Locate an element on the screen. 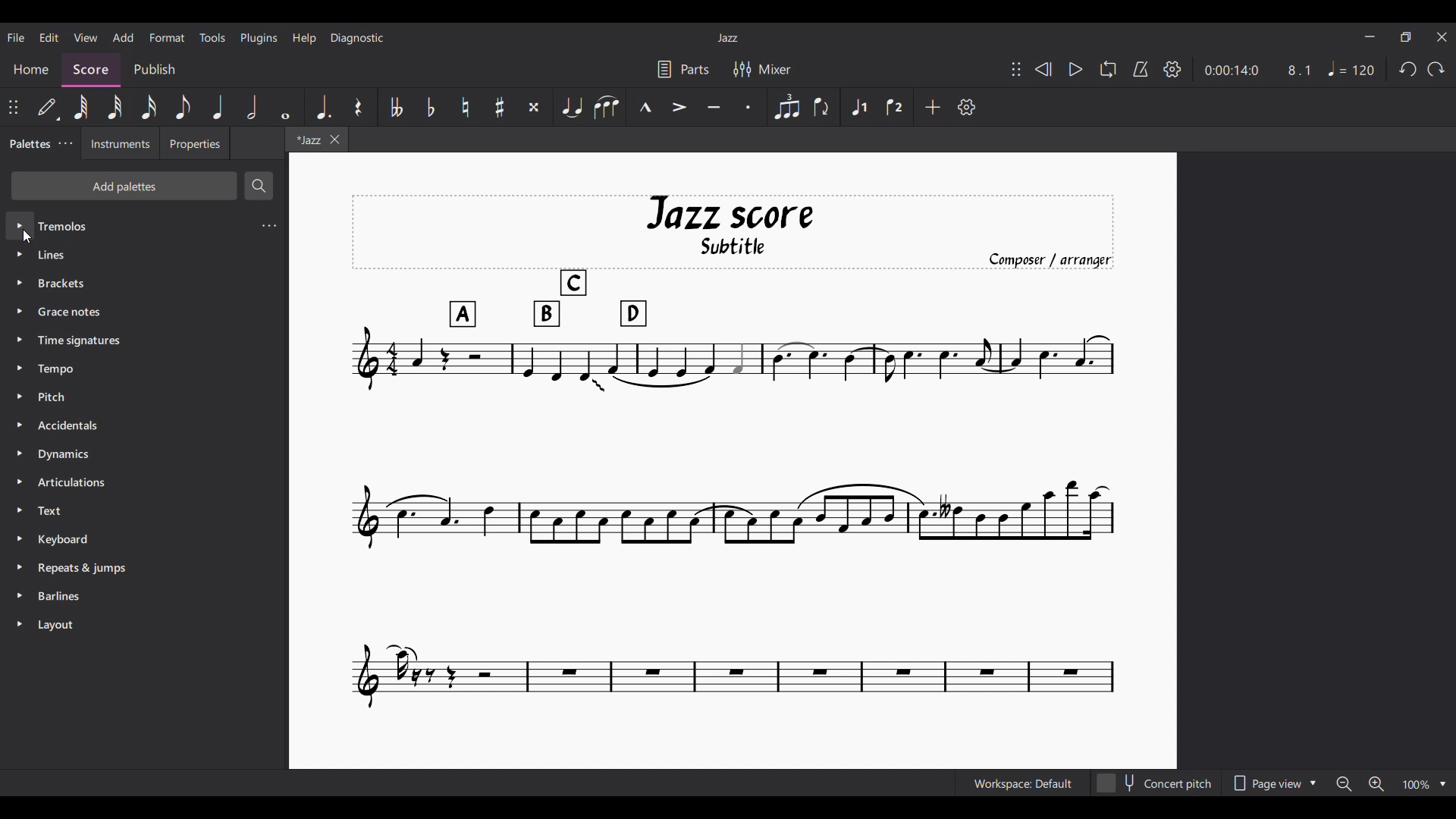 This screenshot has height=819, width=1456. Articulations is located at coordinates (143, 482).